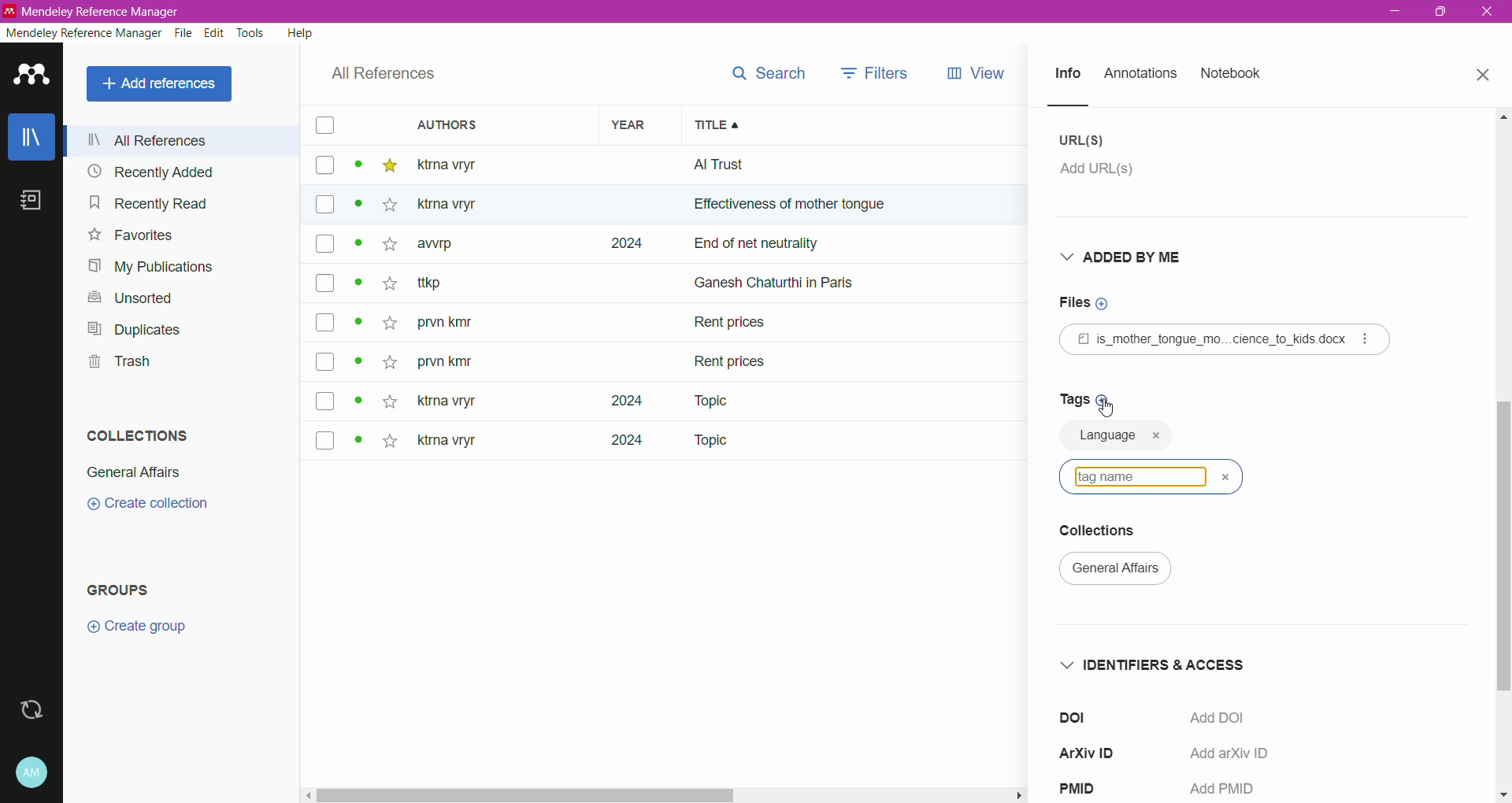  I want to click on Collections, so click(139, 435).